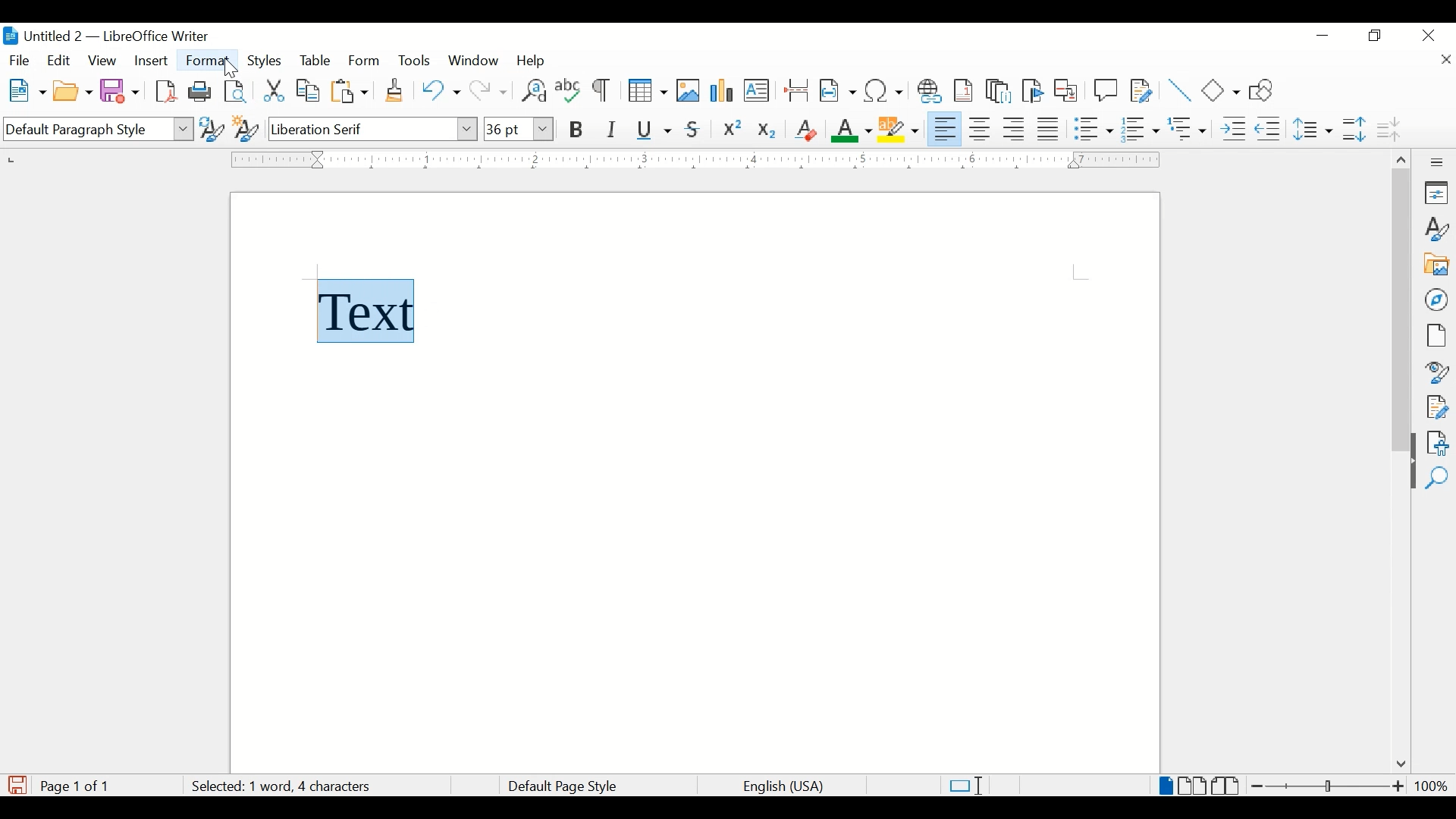  I want to click on default paragraph style, so click(96, 130).